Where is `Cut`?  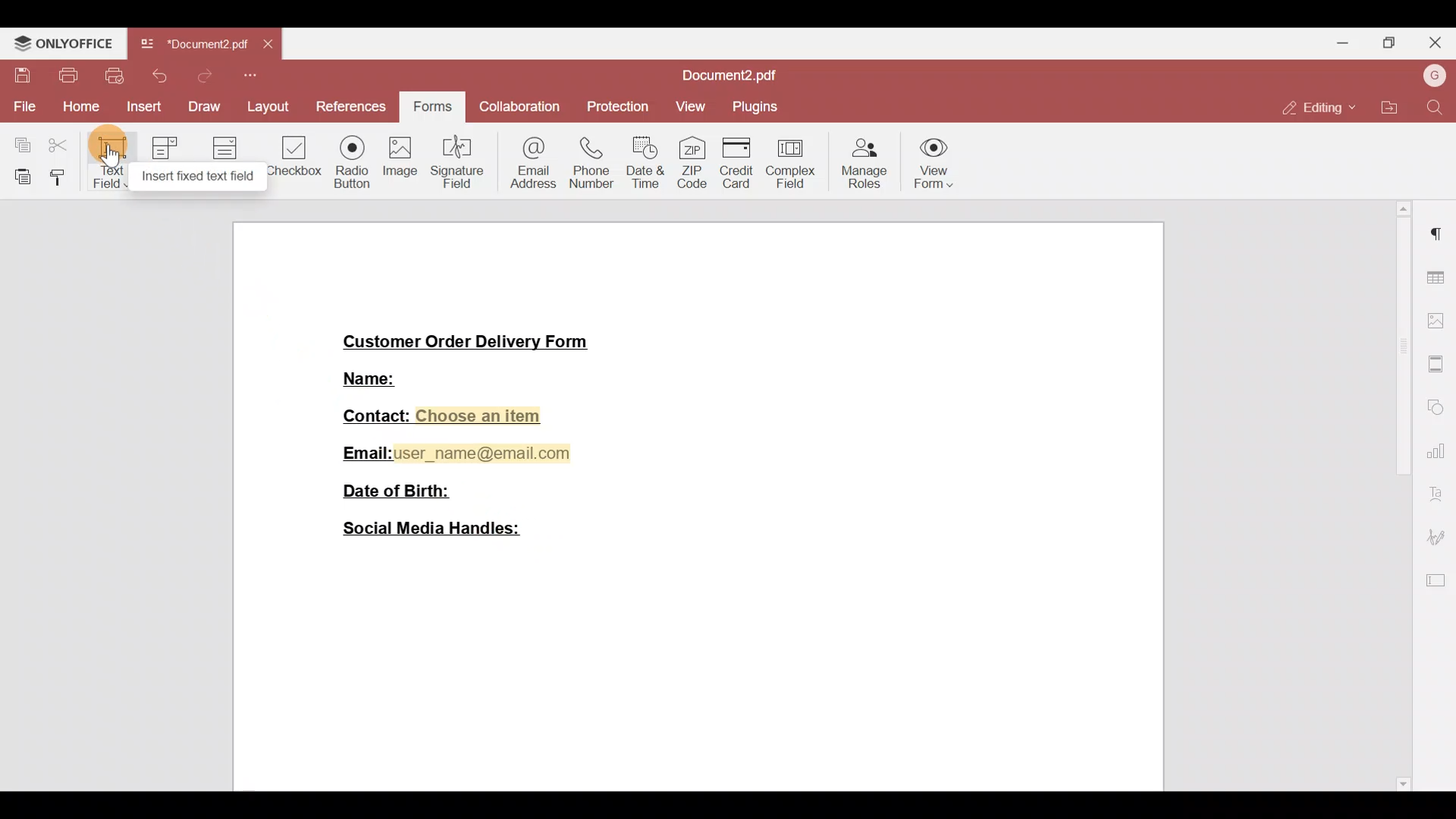
Cut is located at coordinates (60, 146).